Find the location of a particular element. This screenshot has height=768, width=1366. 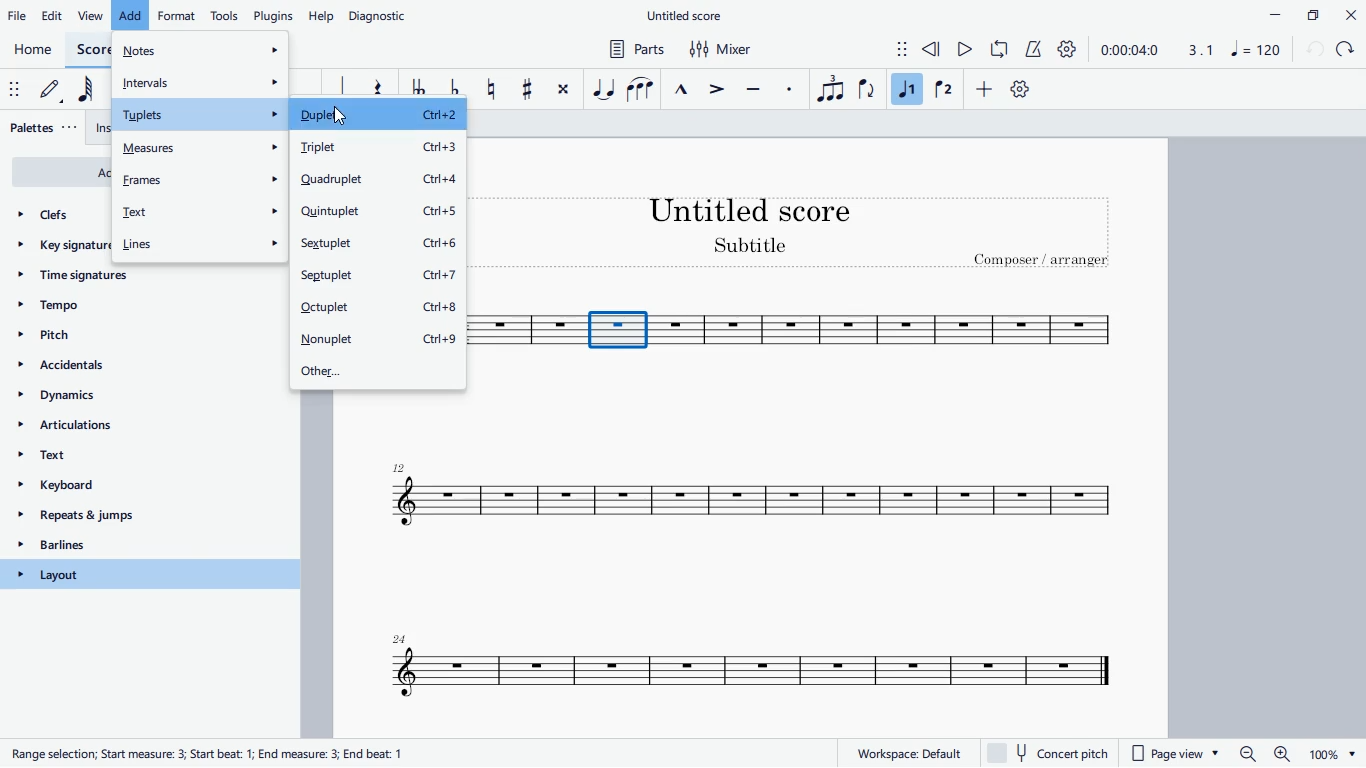

page view is located at coordinates (1178, 754).